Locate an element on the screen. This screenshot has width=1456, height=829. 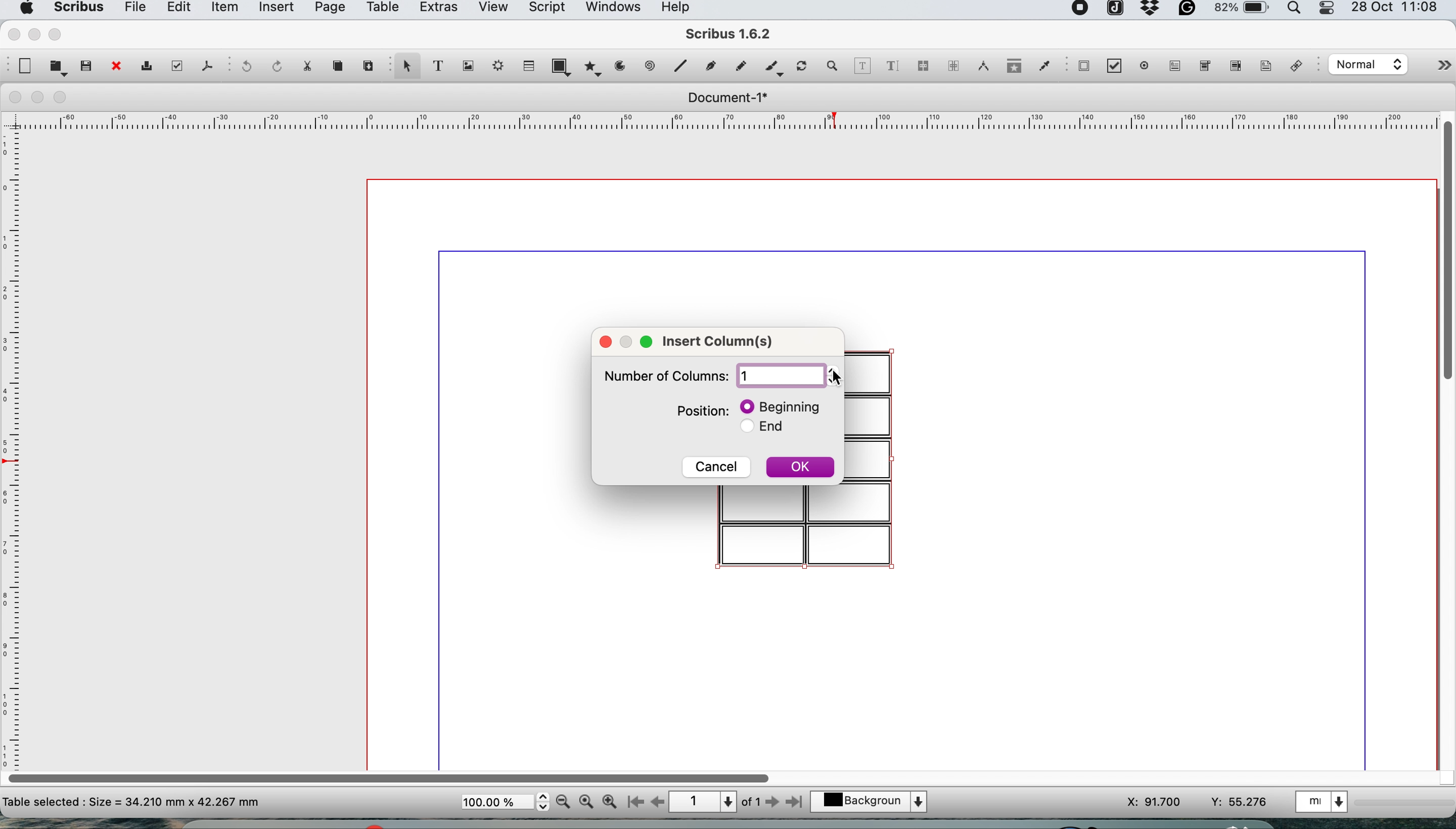
preflight verifier is located at coordinates (174, 65).